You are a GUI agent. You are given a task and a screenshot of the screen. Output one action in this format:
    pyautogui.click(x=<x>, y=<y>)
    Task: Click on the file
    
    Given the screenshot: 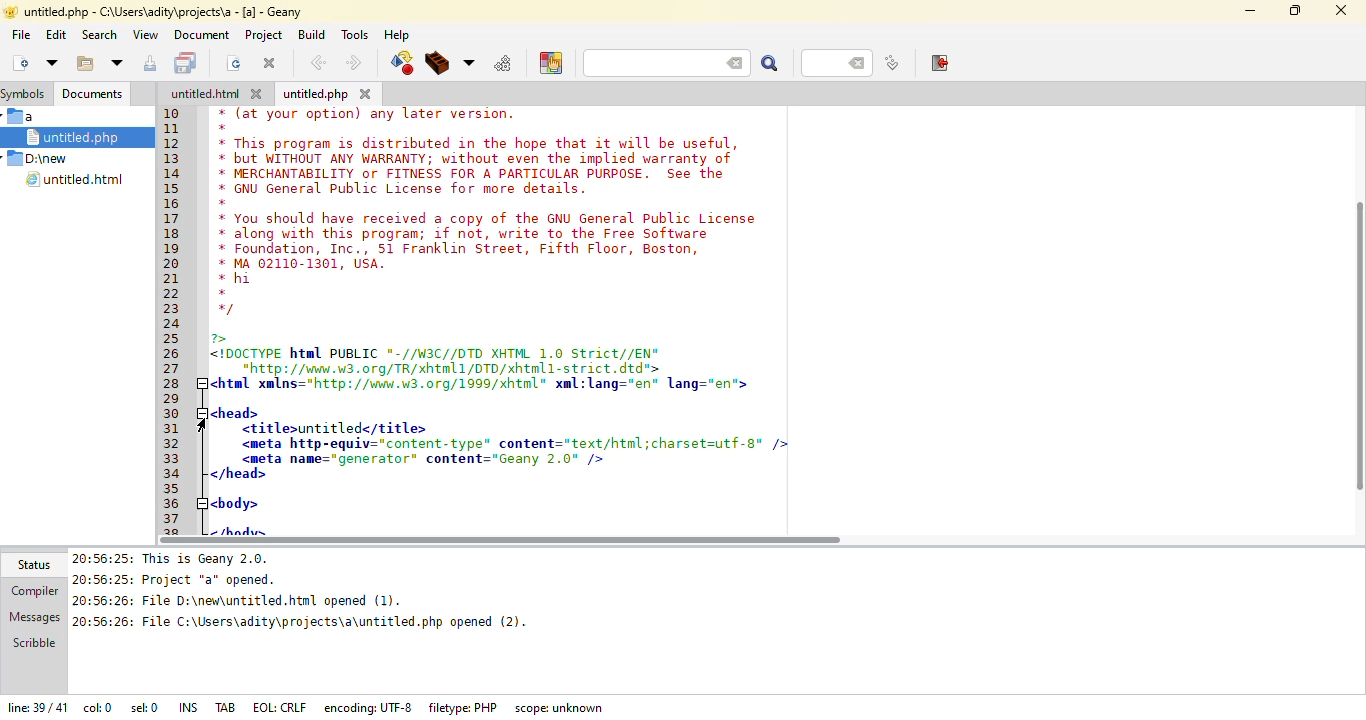 What is the action you would take?
    pyautogui.click(x=20, y=34)
    